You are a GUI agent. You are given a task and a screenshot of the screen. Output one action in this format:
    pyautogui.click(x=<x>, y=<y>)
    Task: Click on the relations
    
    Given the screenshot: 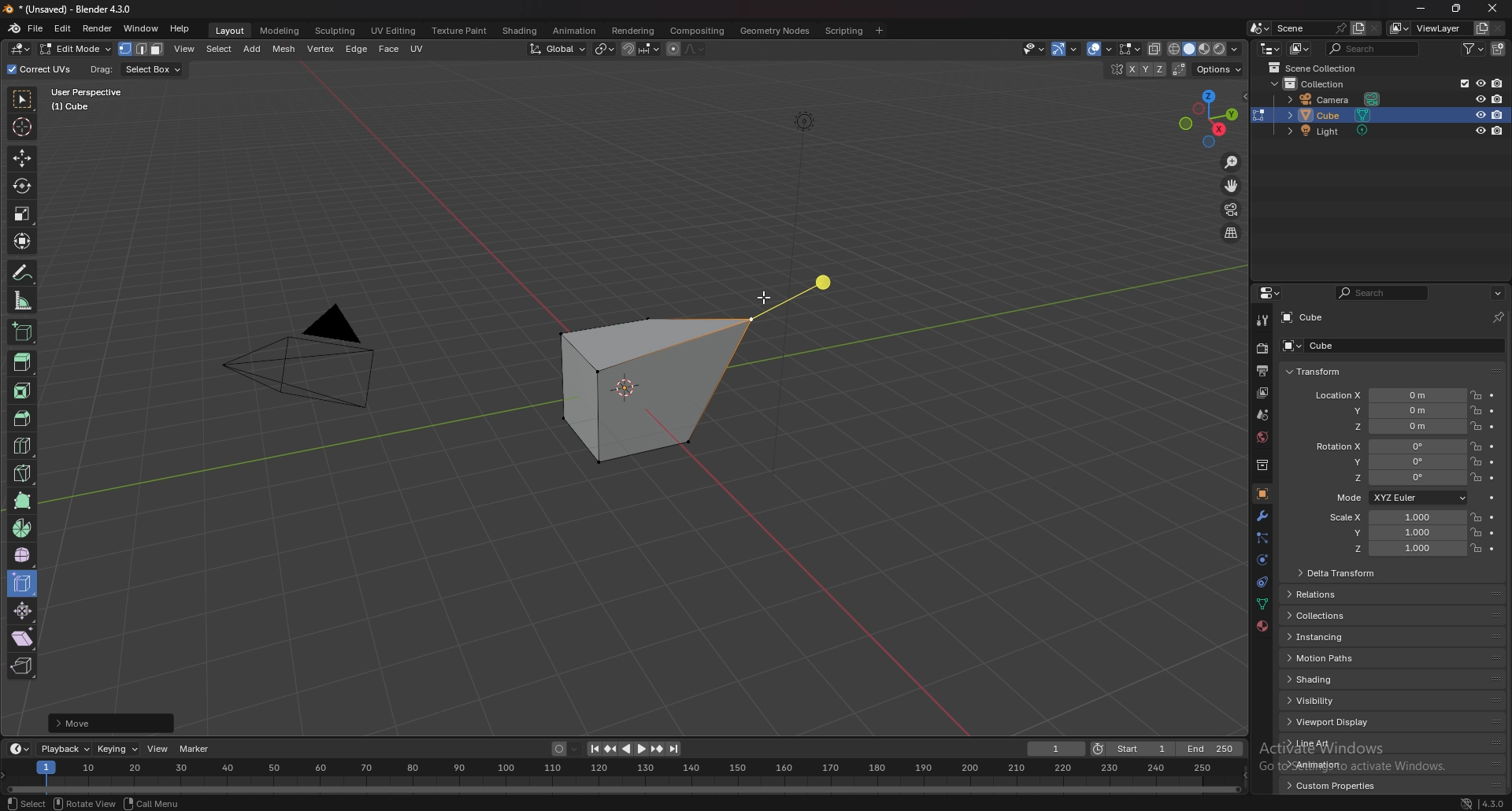 What is the action you would take?
    pyautogui.click(x=1325, y=595)
    